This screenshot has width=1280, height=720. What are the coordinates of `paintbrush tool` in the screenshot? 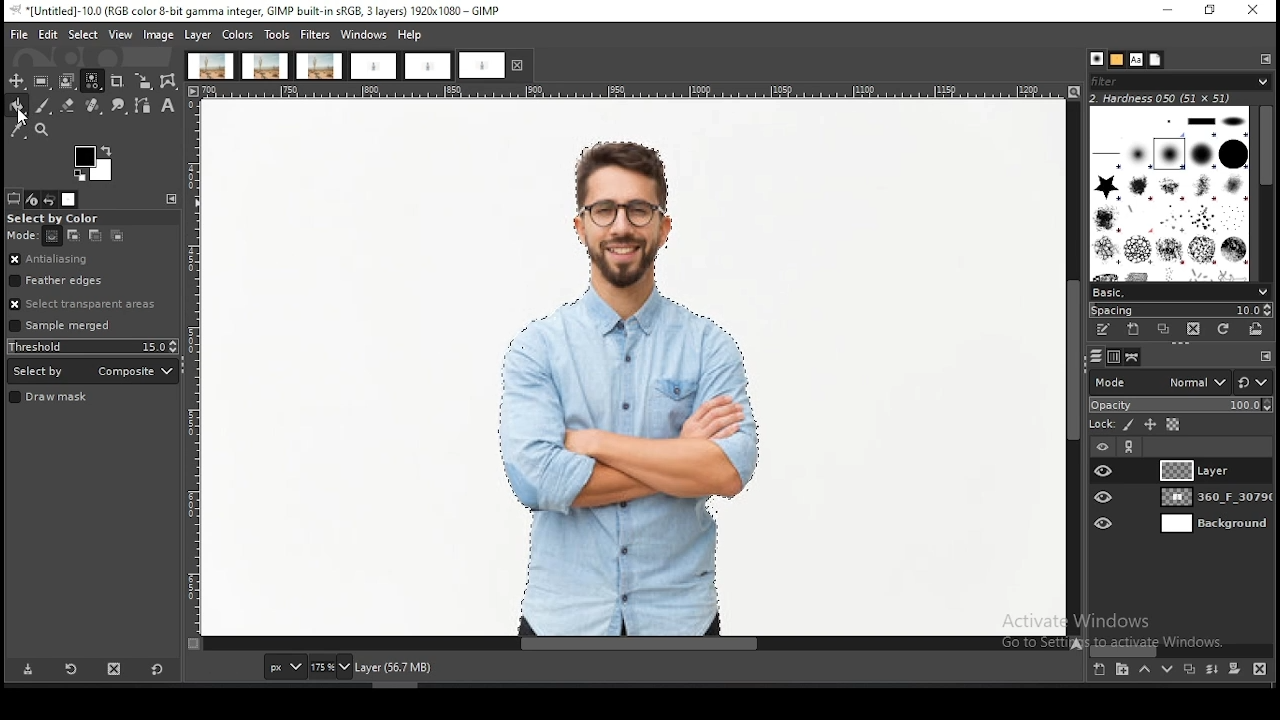 It's located at (43, 106).